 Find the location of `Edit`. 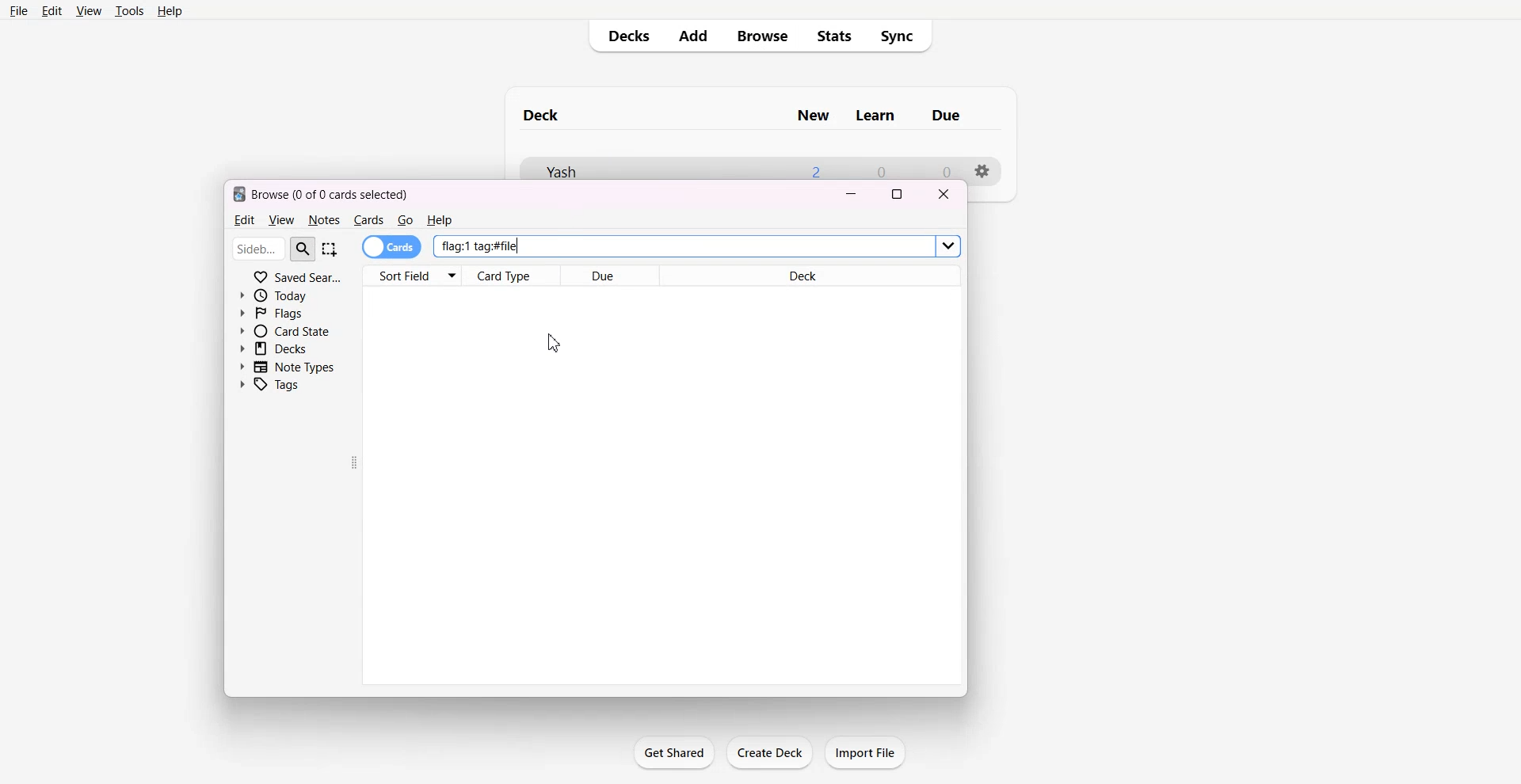

Edit is located at coordinates (243, 220).